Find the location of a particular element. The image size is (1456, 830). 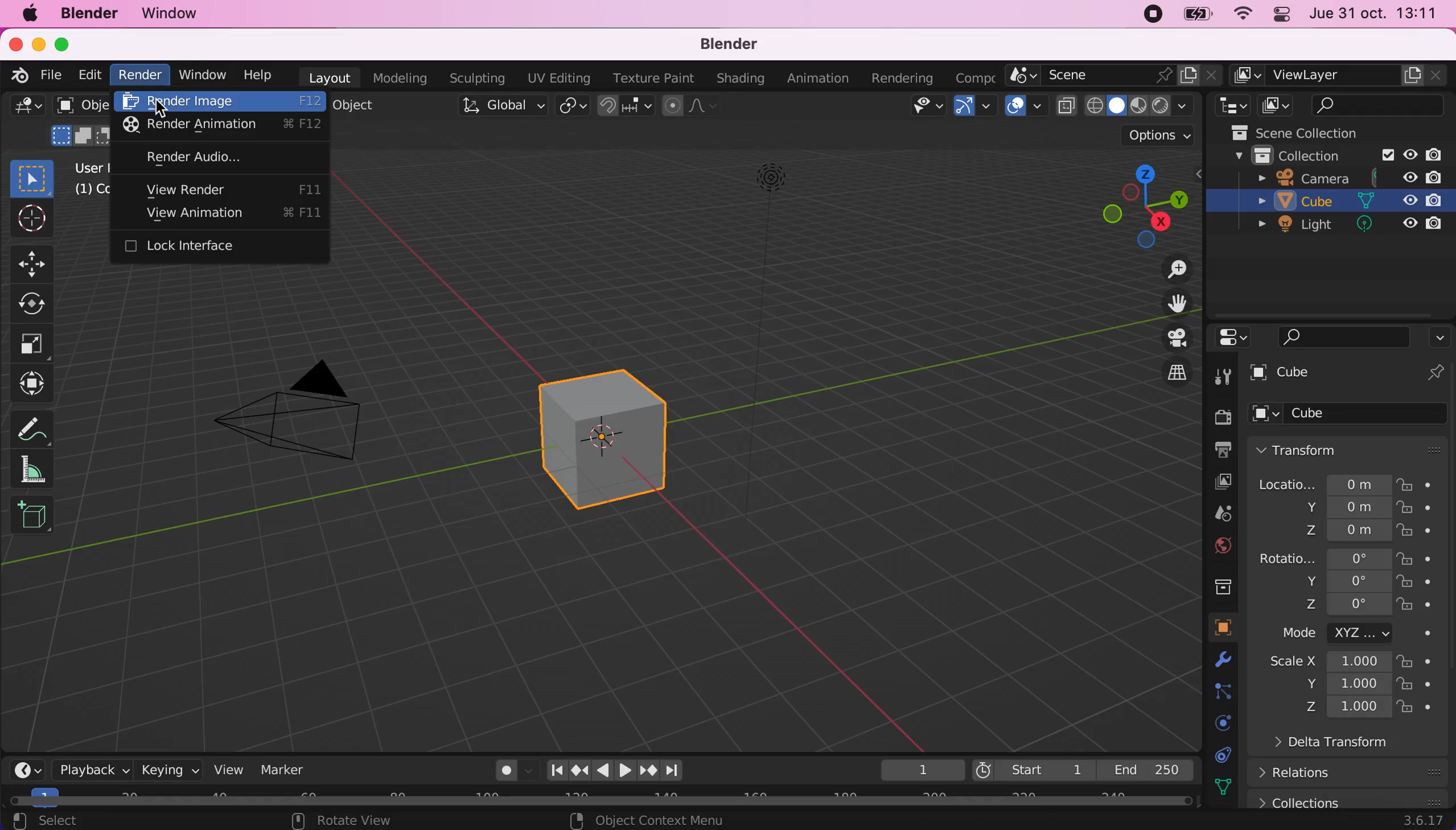

view layer is located at coordinates (1218, 481).